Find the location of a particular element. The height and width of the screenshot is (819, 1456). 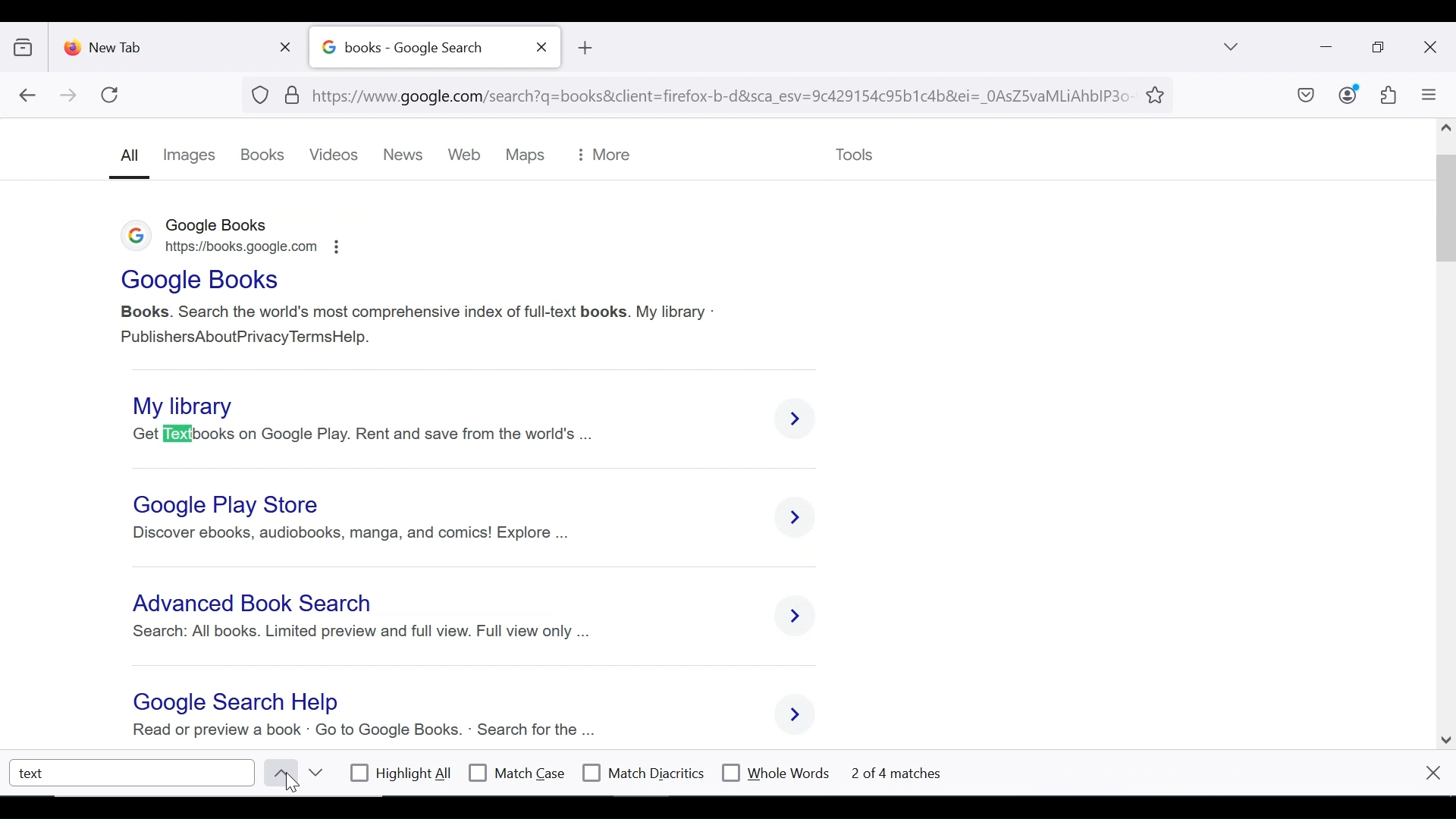

Google Books is located at coordinates (197, 280).